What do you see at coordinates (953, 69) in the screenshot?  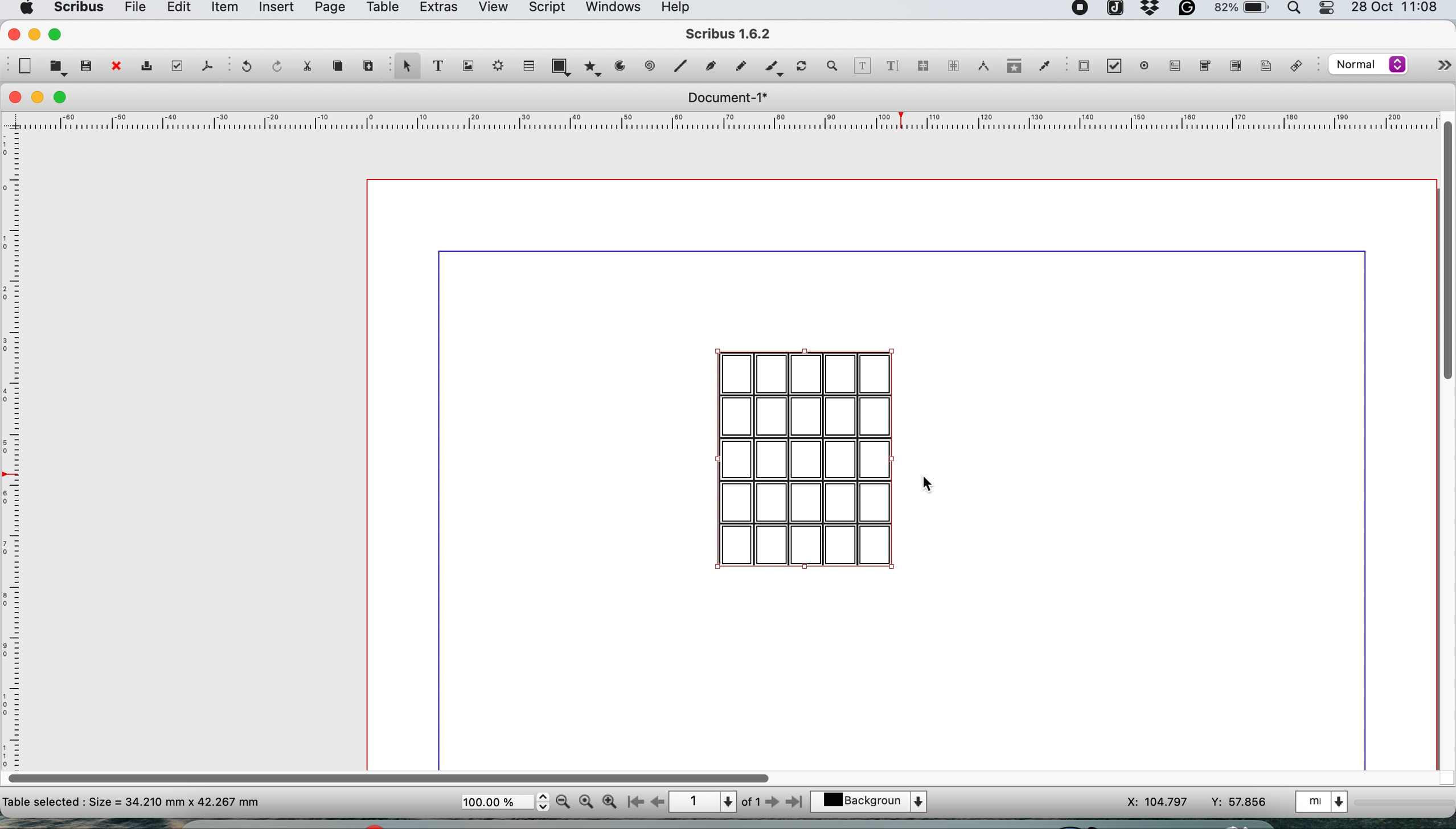 I see `unlink text frames` at bounding box center [953, 69].